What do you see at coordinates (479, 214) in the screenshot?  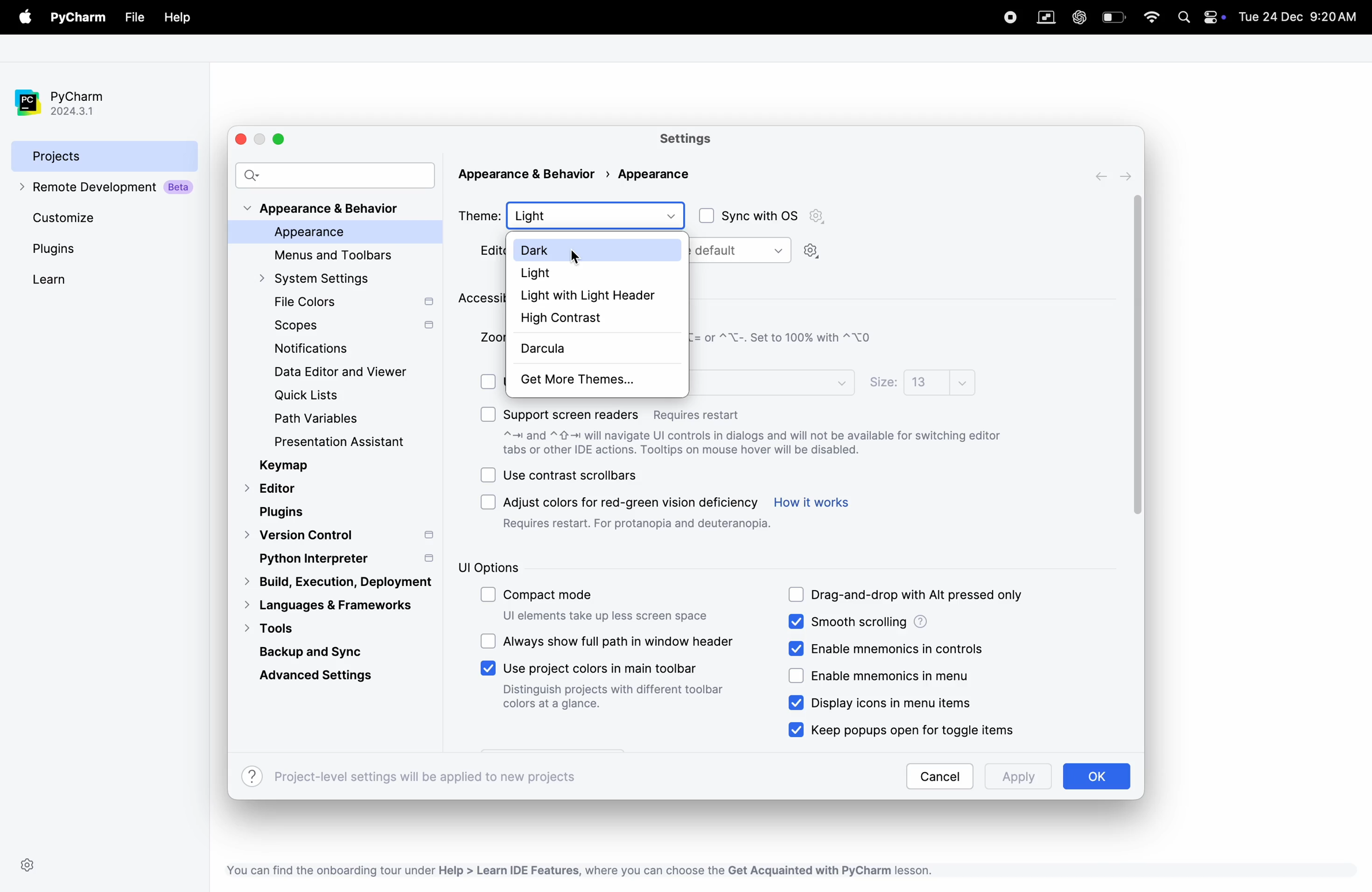 I see `theme` at bounding box center [479, 214].